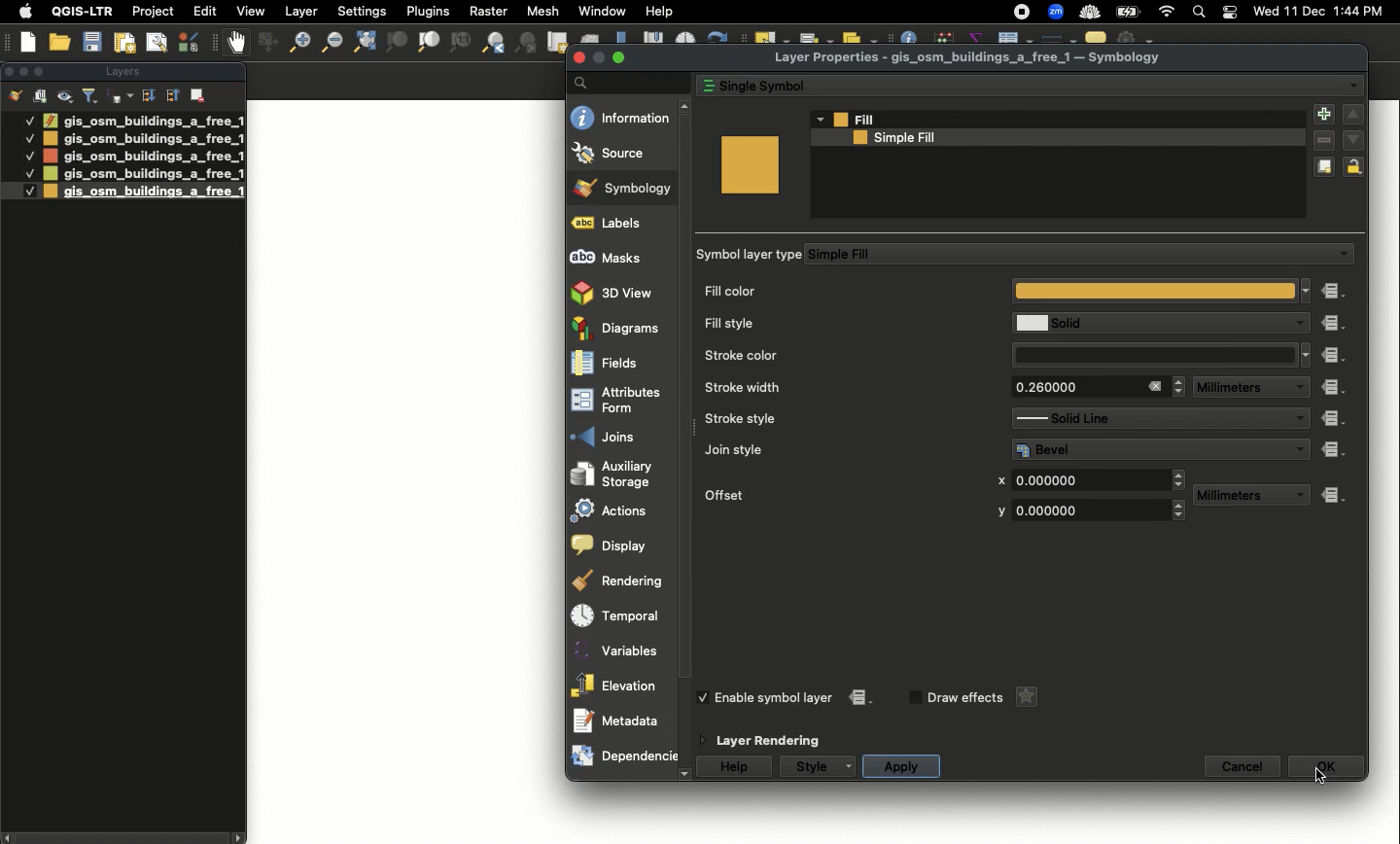 The height and width of the screenshot is (844, 1400). I want to click on , so click(1334, 355).